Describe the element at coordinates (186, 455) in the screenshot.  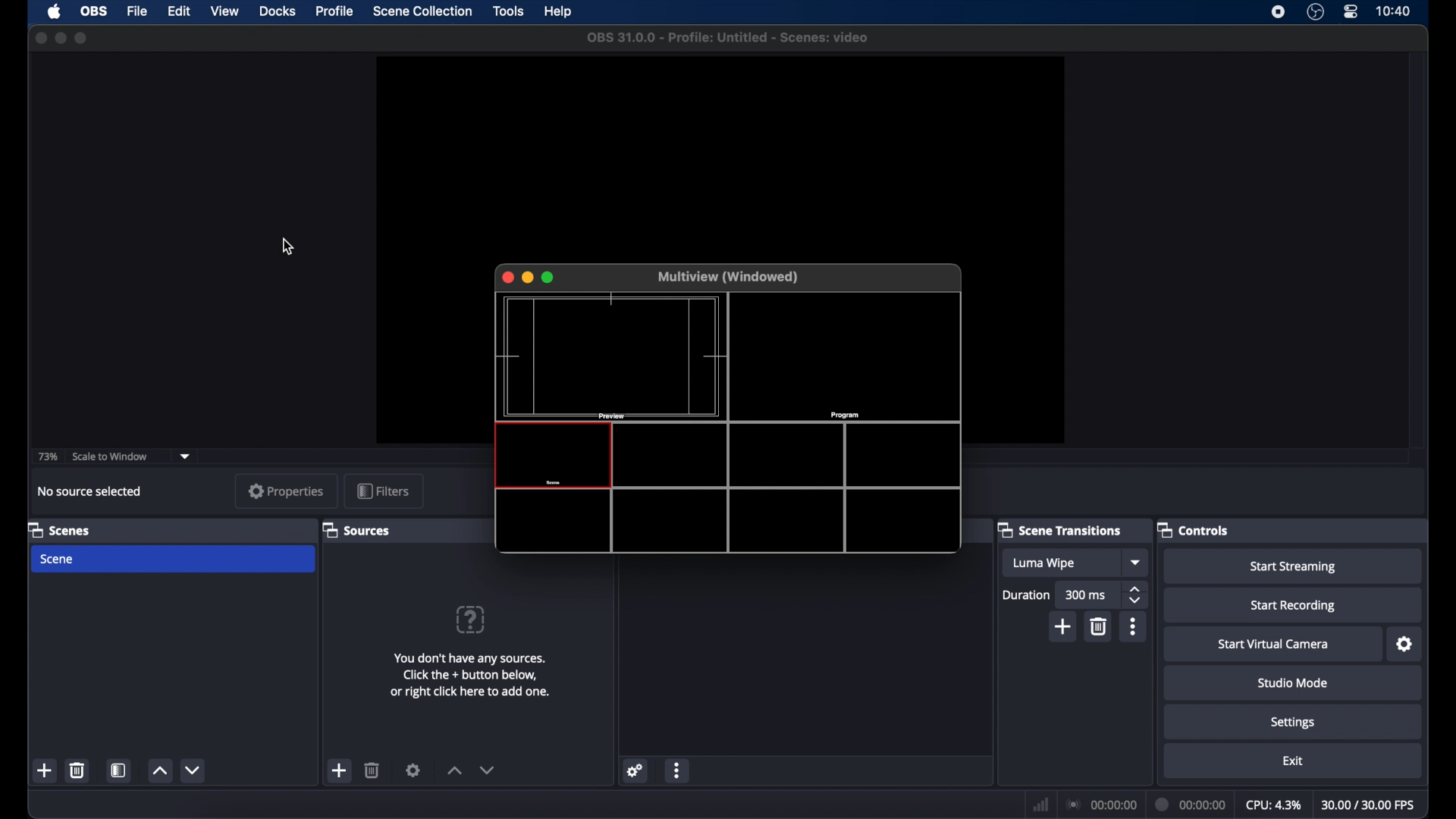
I see `dropdown` at that location.